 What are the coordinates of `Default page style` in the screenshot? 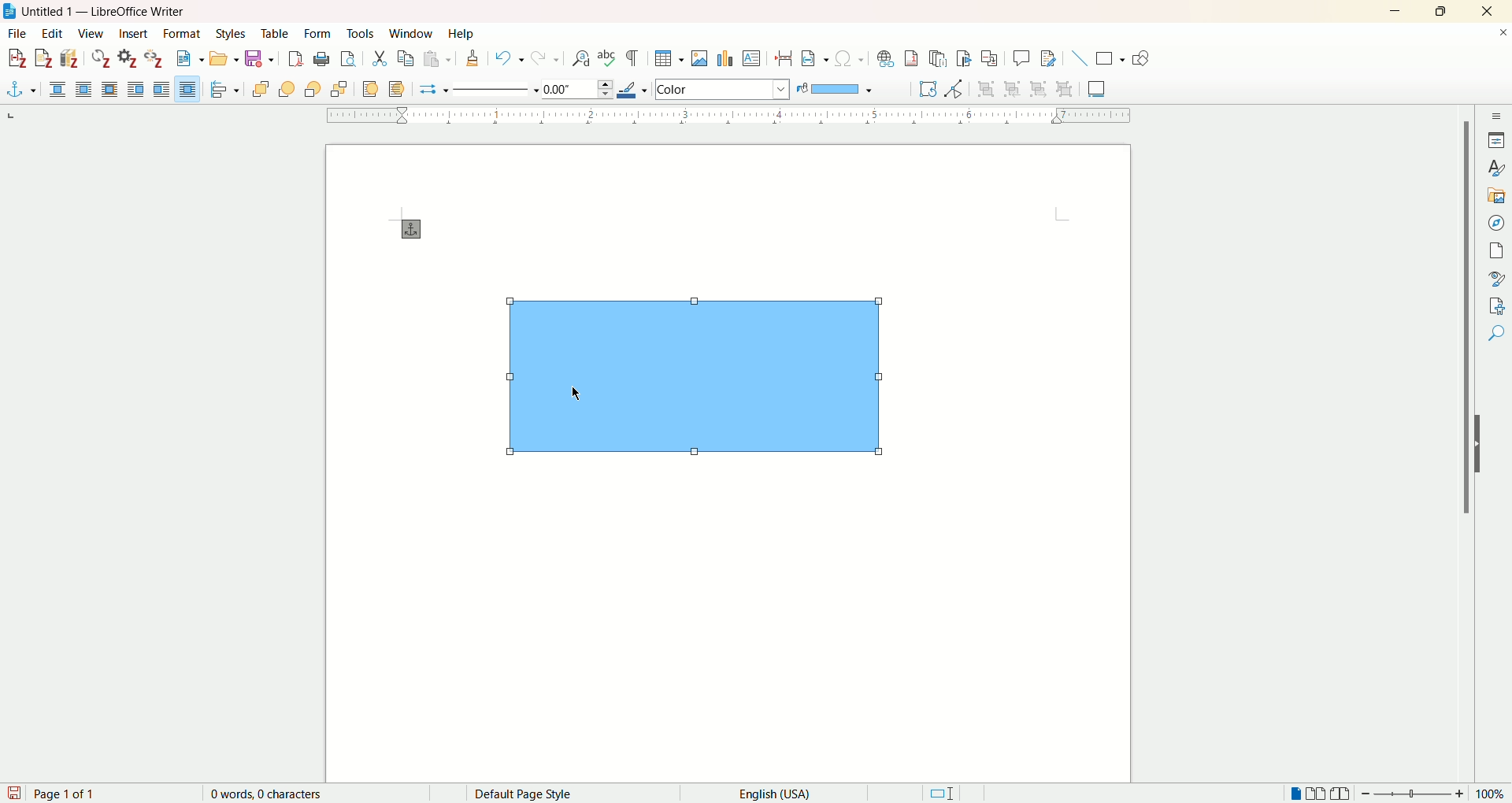 It's located at (535, 792).